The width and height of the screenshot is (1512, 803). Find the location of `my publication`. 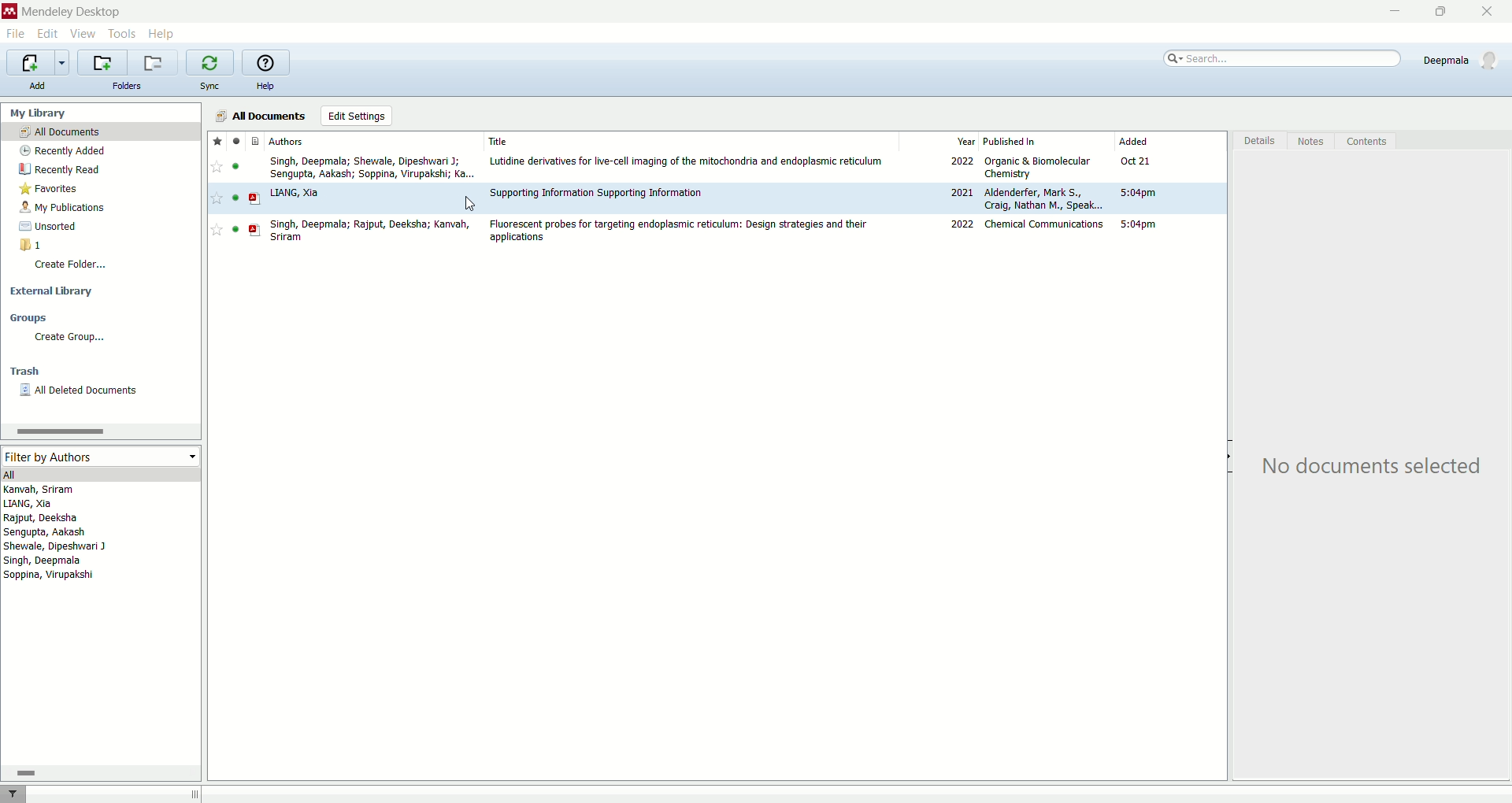

my publication is located at coordinates (64, 207).